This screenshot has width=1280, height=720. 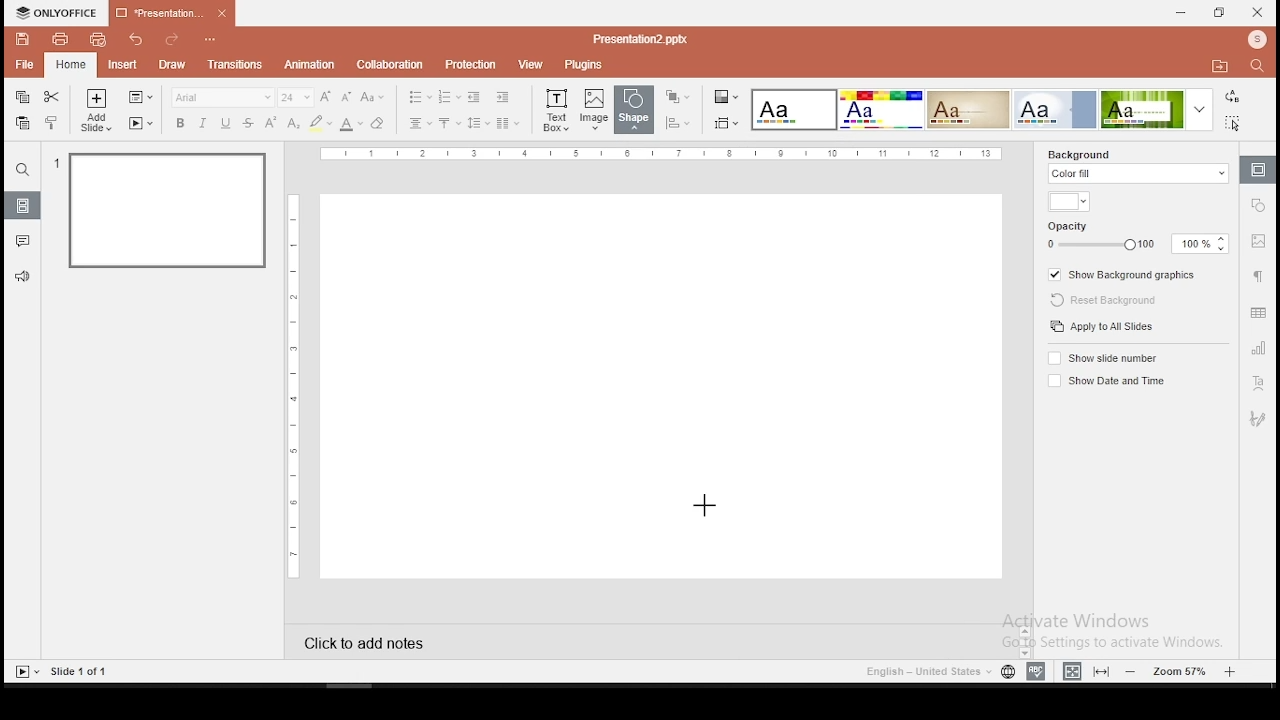 What do you see at coordinates (1160, 109) in the screenshot?
I see `theme` at bounding box center [1160, 109].